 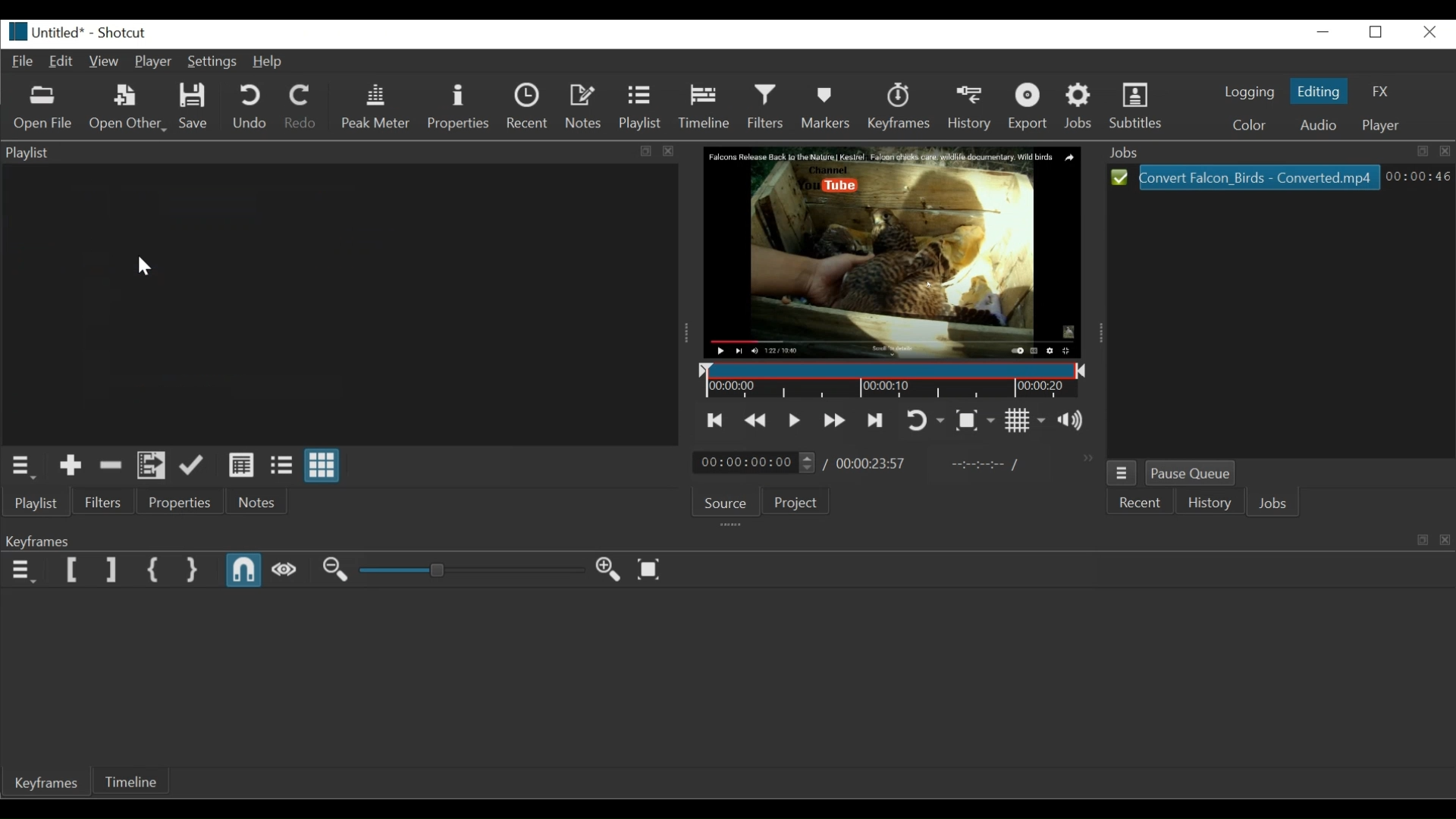 What do you see at coordinates (22, 571) in the screenshot?
I see `Keyframe menu` at bounding box center [22, 571].